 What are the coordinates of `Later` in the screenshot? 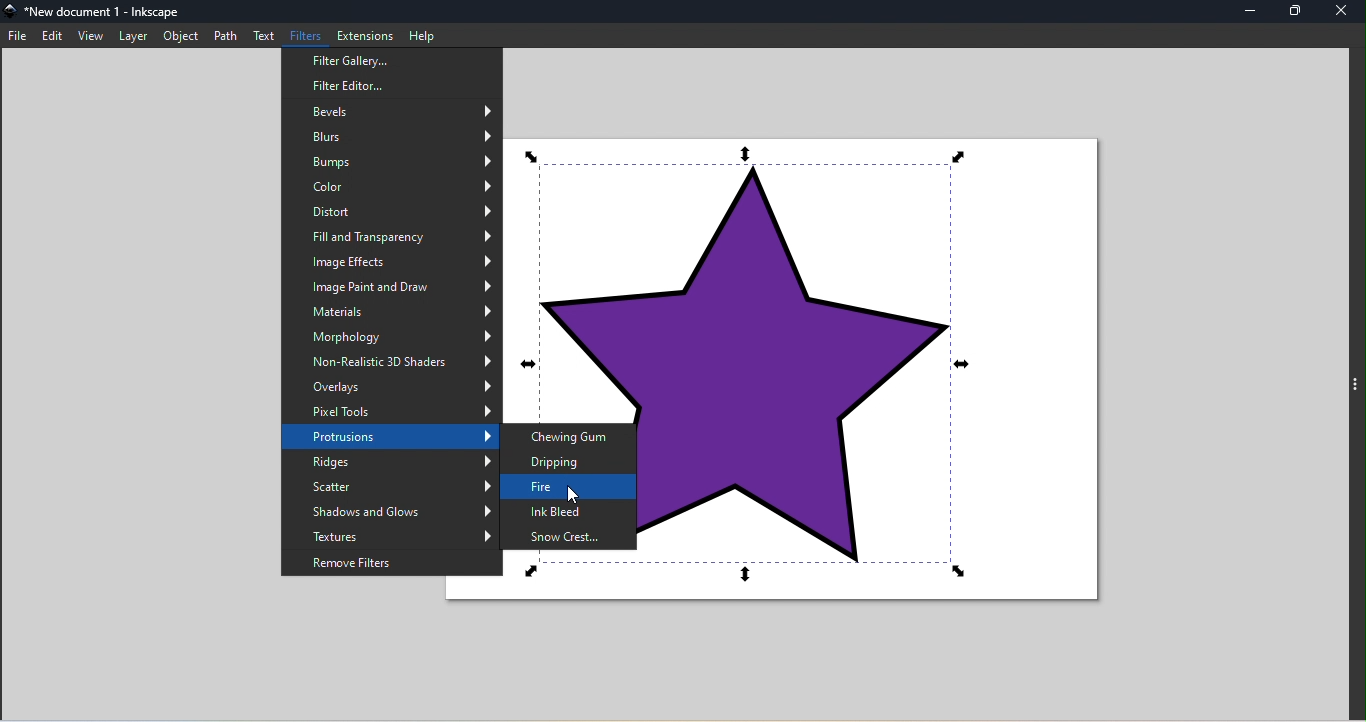 It's located at (133, 39).